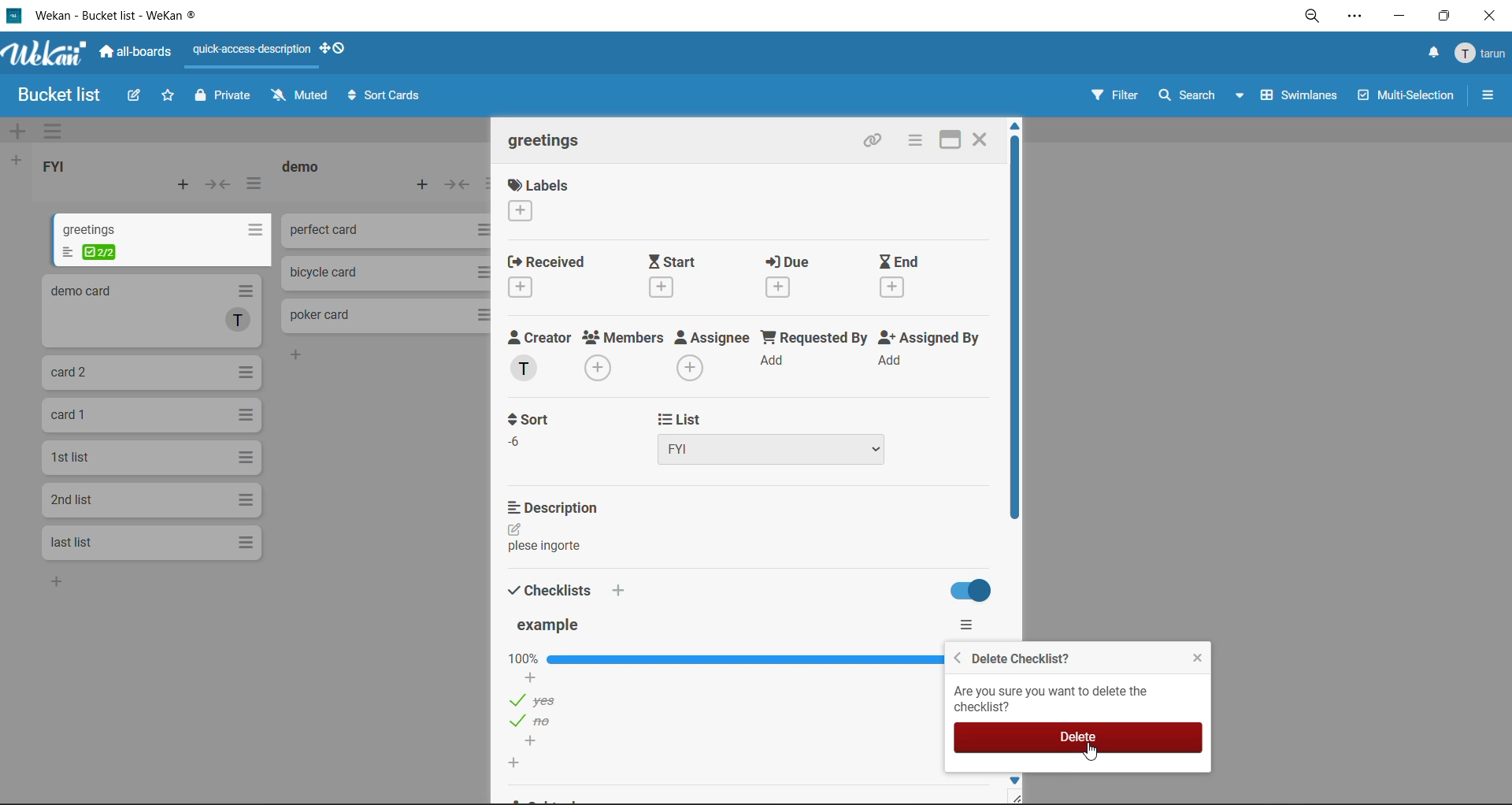  Describe the element at coordinates (541, 701) in the screenshot. I see `checklist options` at that location.